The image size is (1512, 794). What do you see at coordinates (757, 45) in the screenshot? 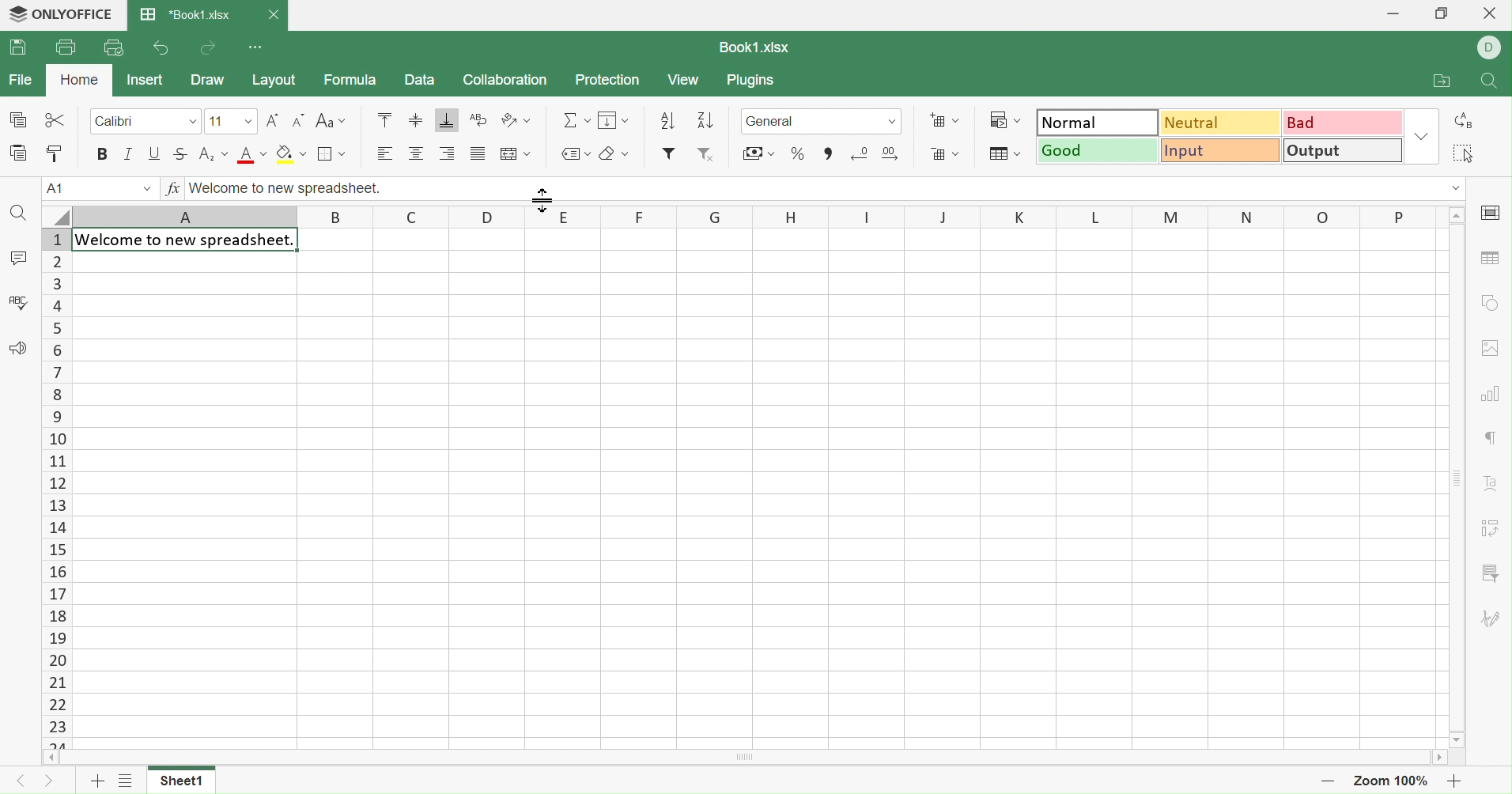
I see `Book1.xlsx` at bounding box center [757, 45].